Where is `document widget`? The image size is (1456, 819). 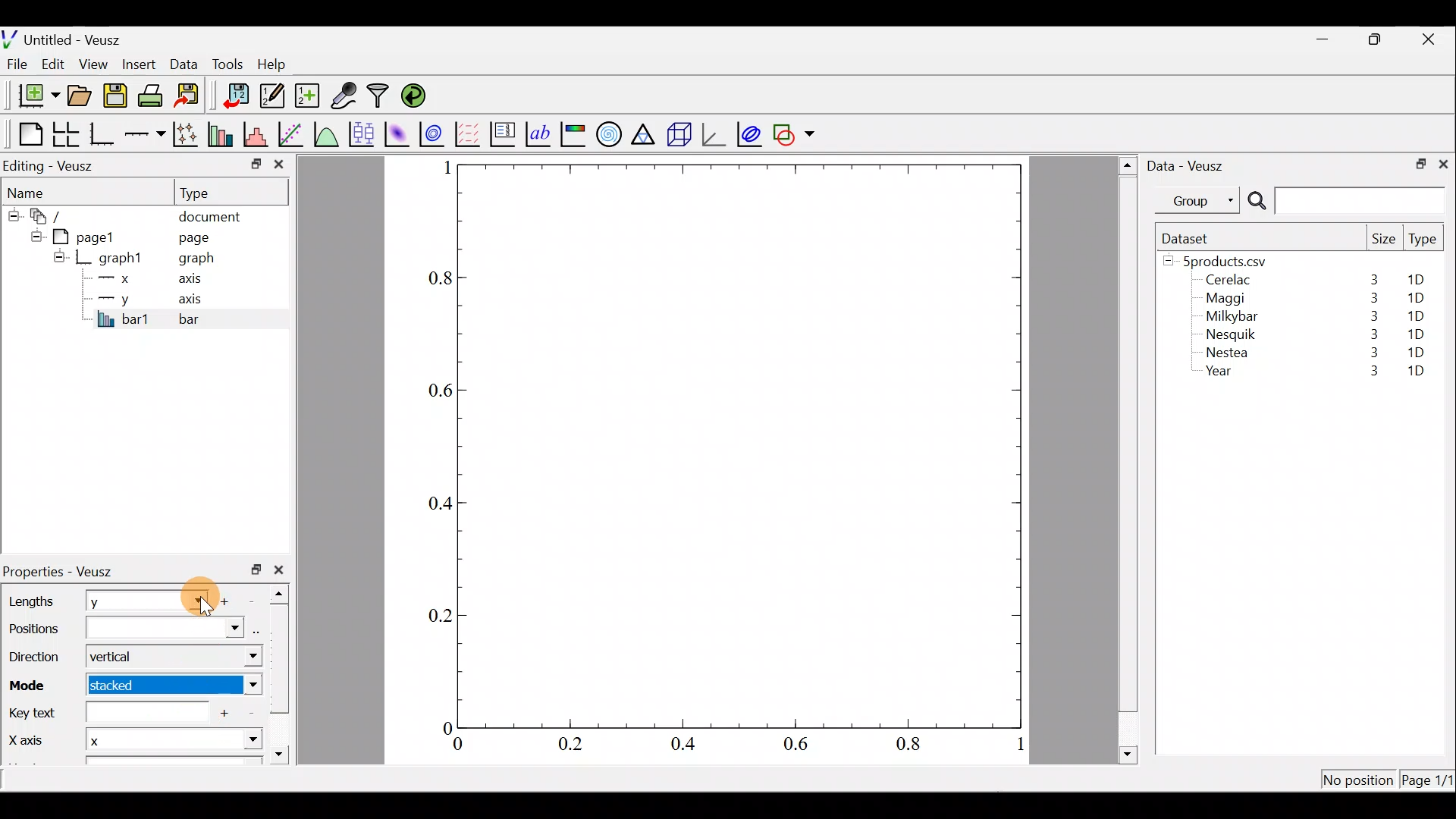 document widget is located at coordinates (54, 214).